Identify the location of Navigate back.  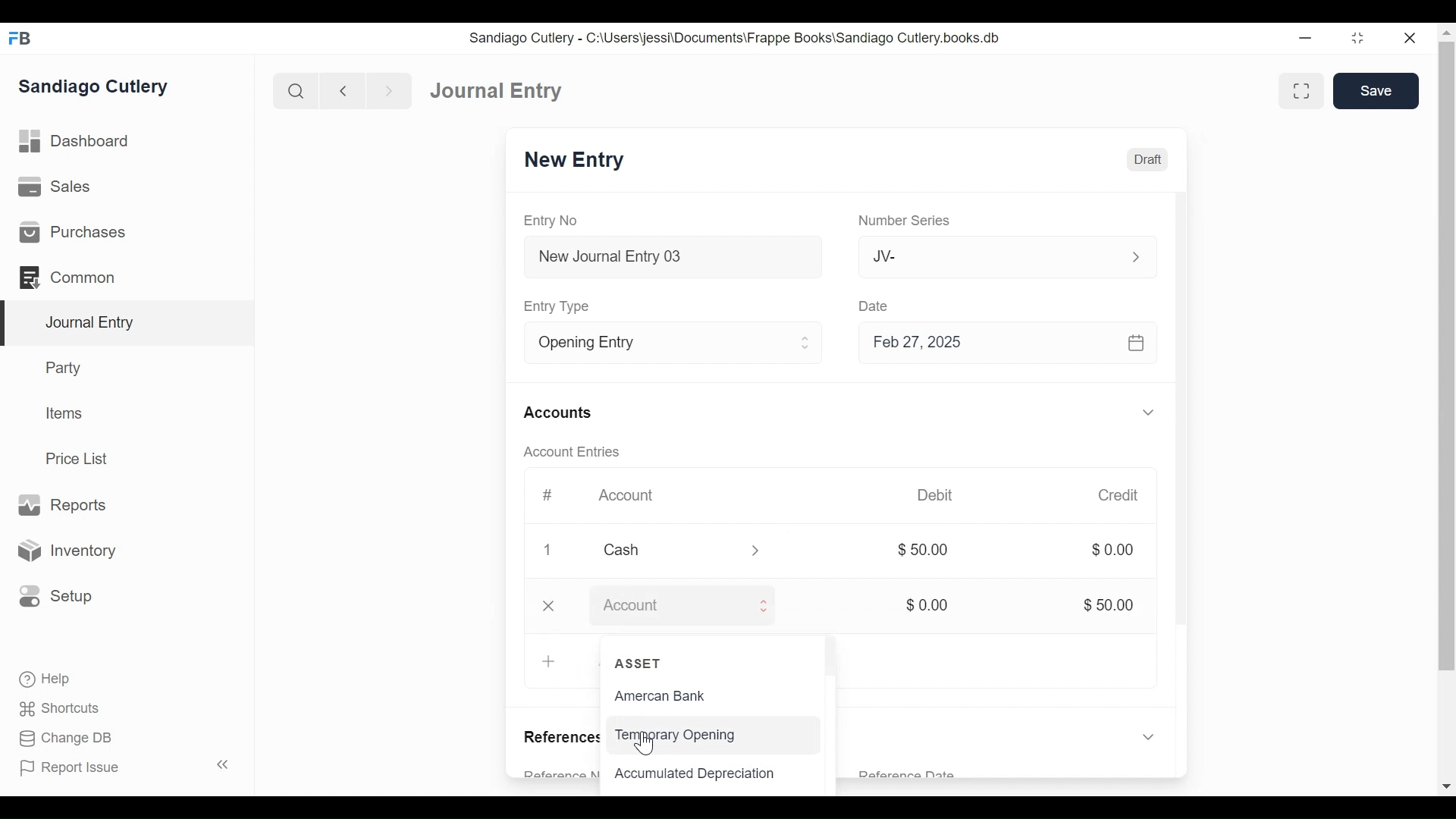
(341, 91).